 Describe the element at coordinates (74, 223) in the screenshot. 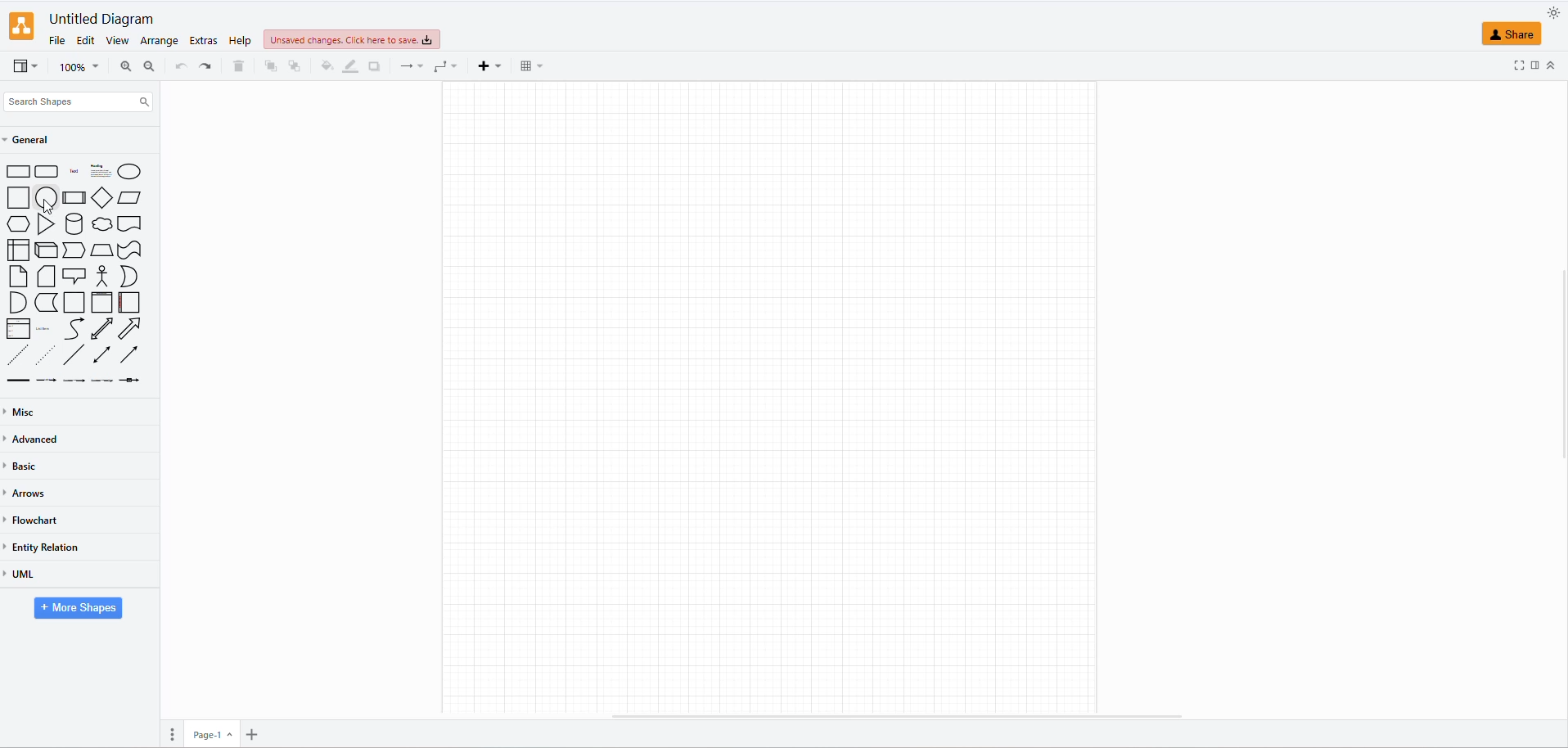

I see `CYLINDER` at that location.